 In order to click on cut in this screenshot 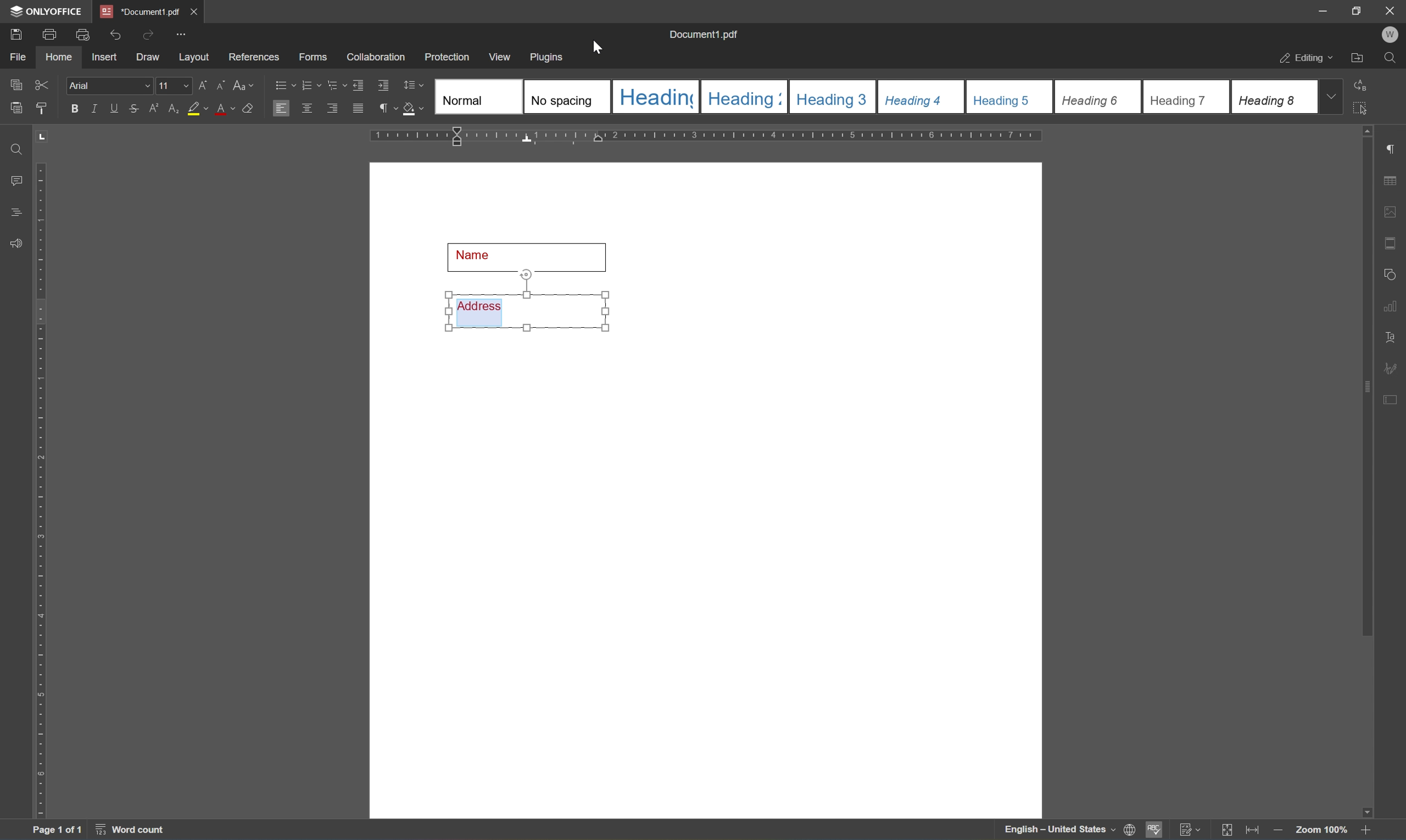, I will do `click(45, 84)`.